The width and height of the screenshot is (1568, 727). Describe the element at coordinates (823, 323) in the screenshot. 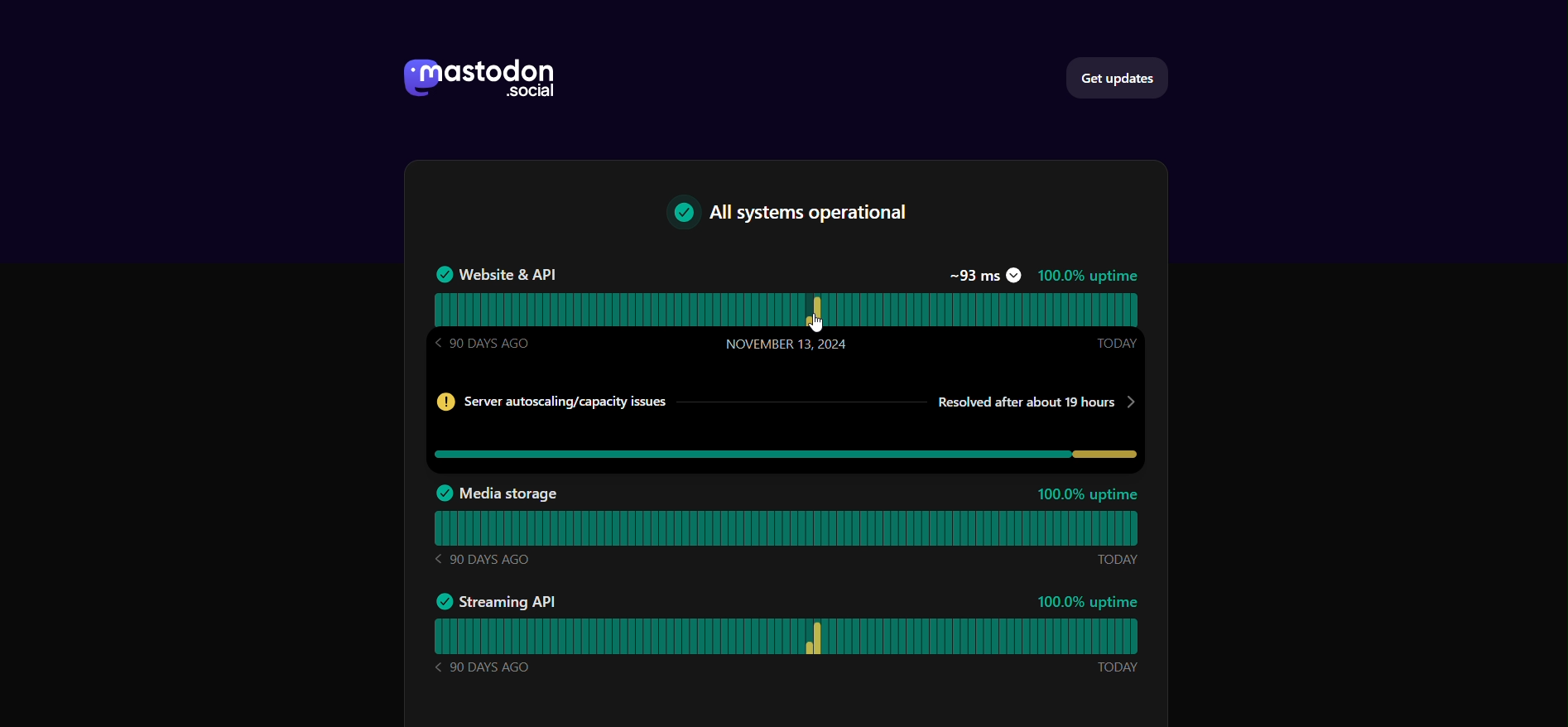

I see `cursor` at that location.